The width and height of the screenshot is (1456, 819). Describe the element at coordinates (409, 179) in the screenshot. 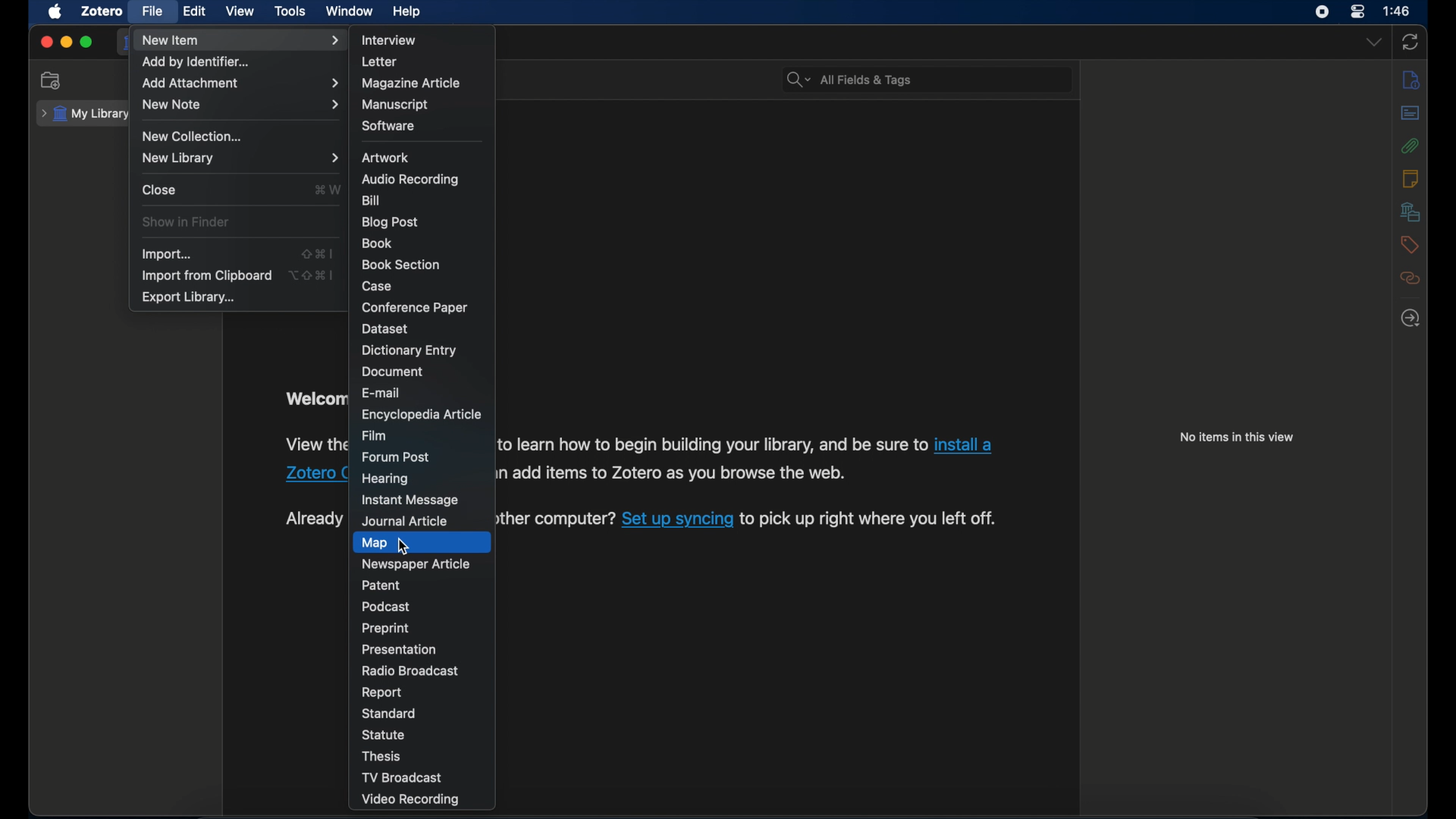

I see `audio recording` at that location.